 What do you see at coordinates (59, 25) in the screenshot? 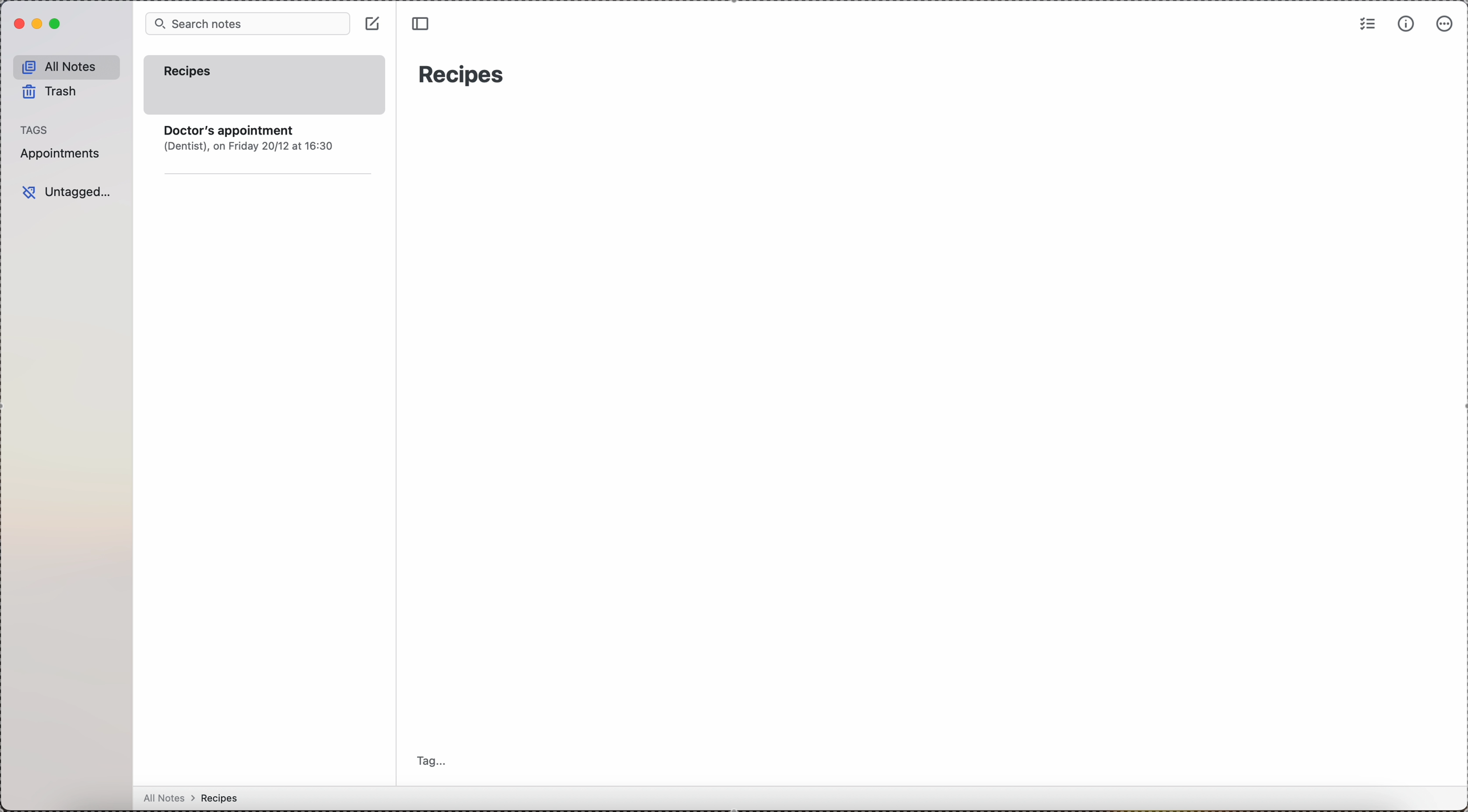
I see `maximize` at bounding box center [59, 25].